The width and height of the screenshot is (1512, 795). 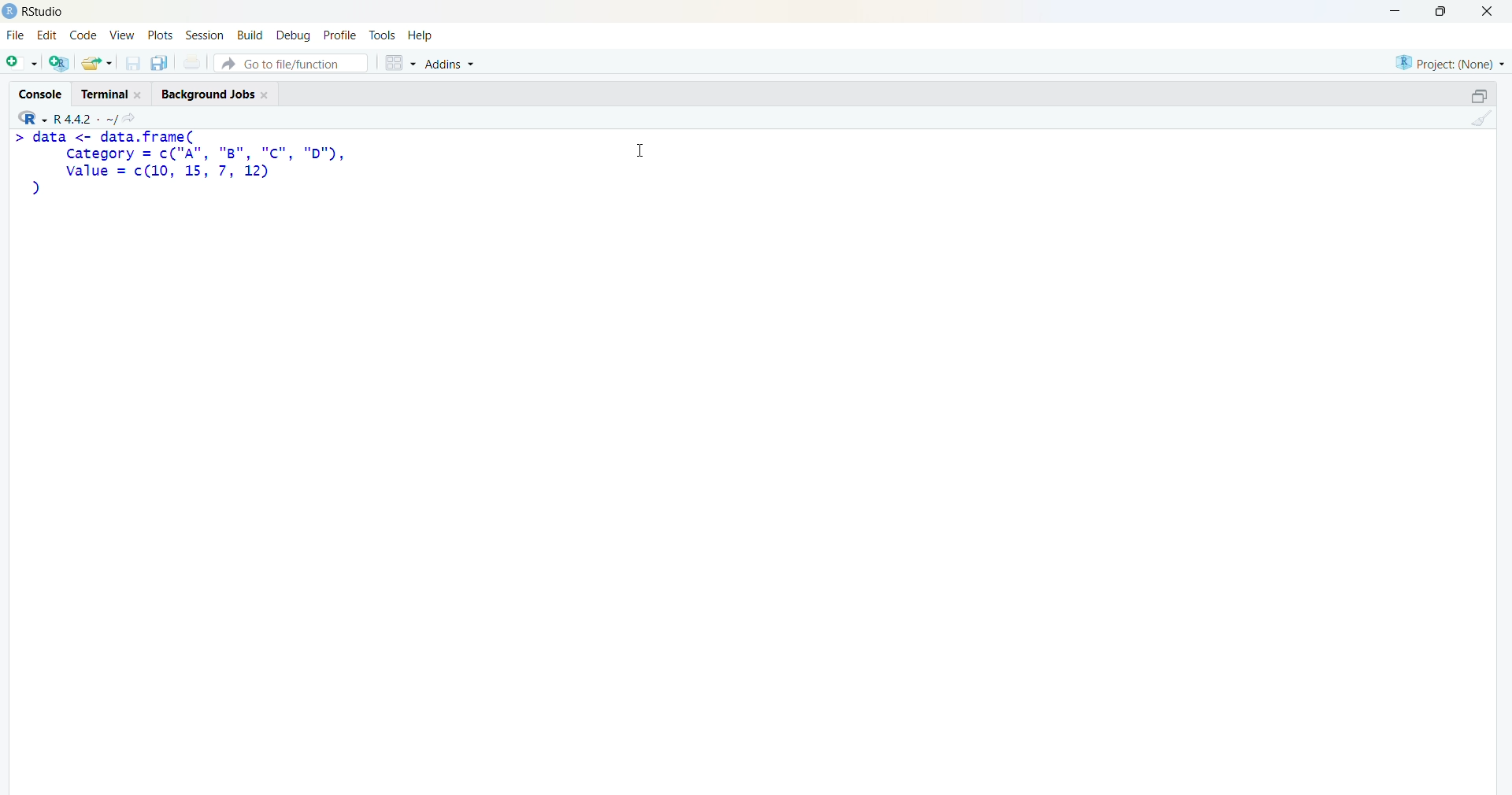 I want to click on edit, so click(x=47, y=35).